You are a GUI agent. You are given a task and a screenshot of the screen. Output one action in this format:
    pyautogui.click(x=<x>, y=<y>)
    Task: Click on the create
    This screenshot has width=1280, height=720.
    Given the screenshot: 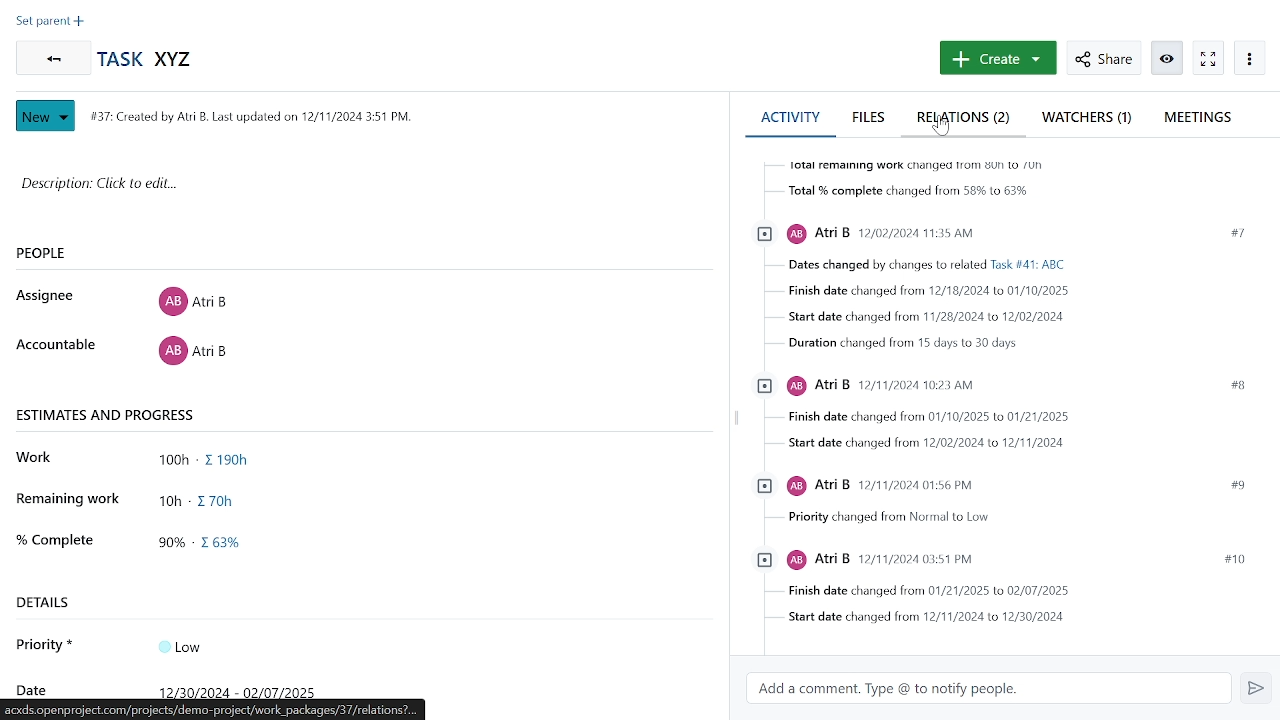 What is the action you would take?
    pyautogui.click(x=996, y=58)
    